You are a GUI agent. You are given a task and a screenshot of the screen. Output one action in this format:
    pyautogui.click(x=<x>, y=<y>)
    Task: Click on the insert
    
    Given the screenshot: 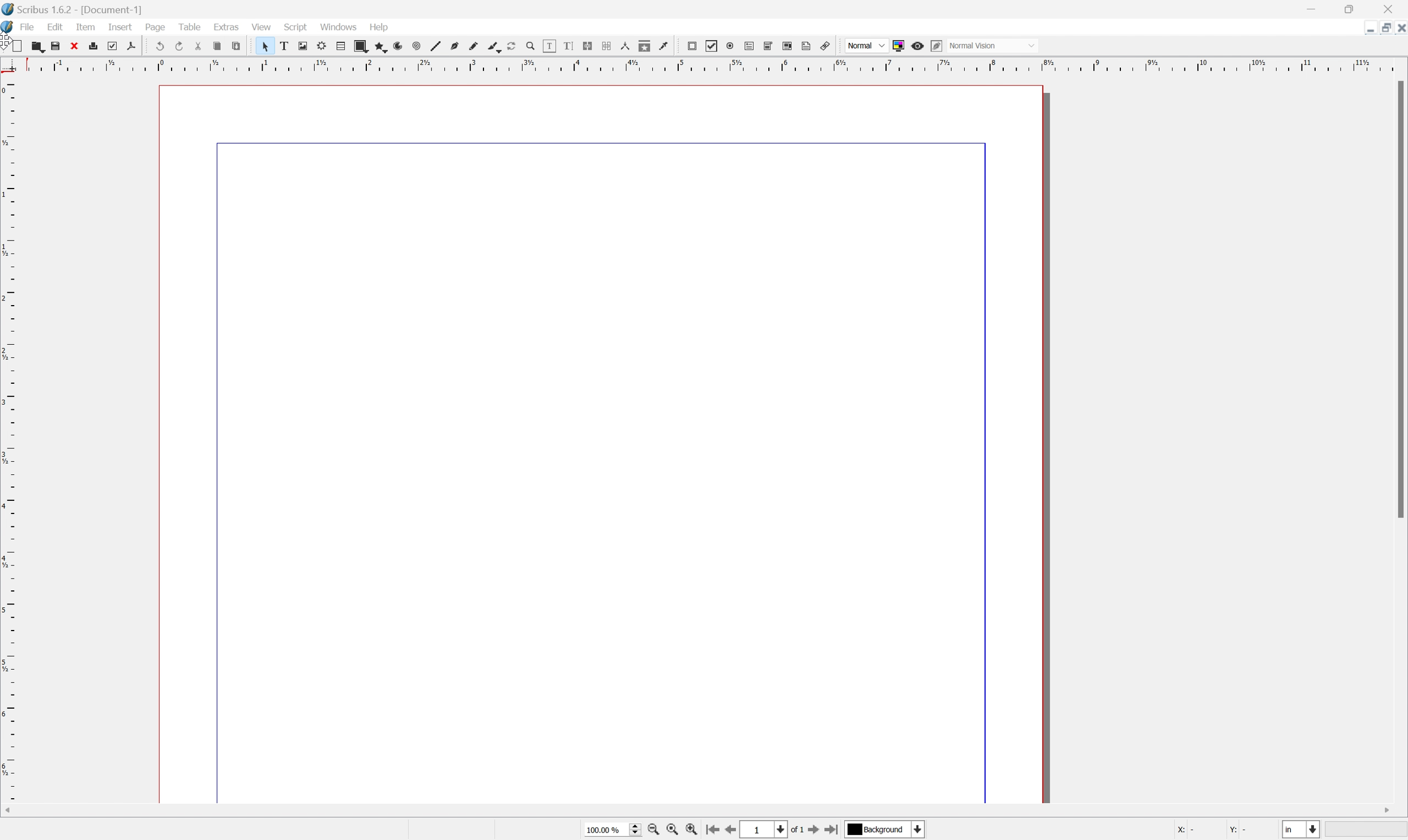 What is the action you would take?
    pyautogui.click(x=122, y=26)
    